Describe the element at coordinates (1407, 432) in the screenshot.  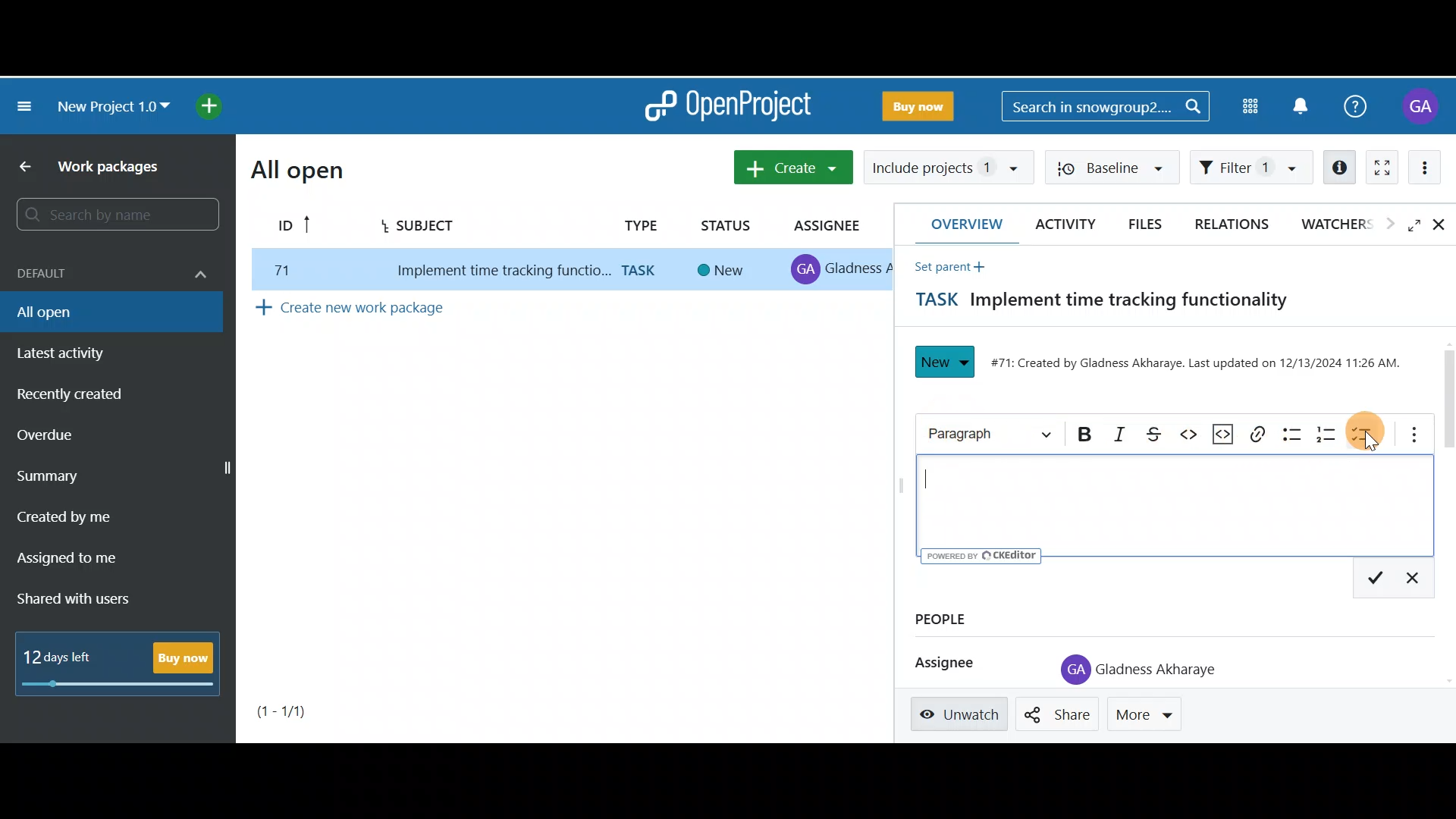
I see `More options` at that location.